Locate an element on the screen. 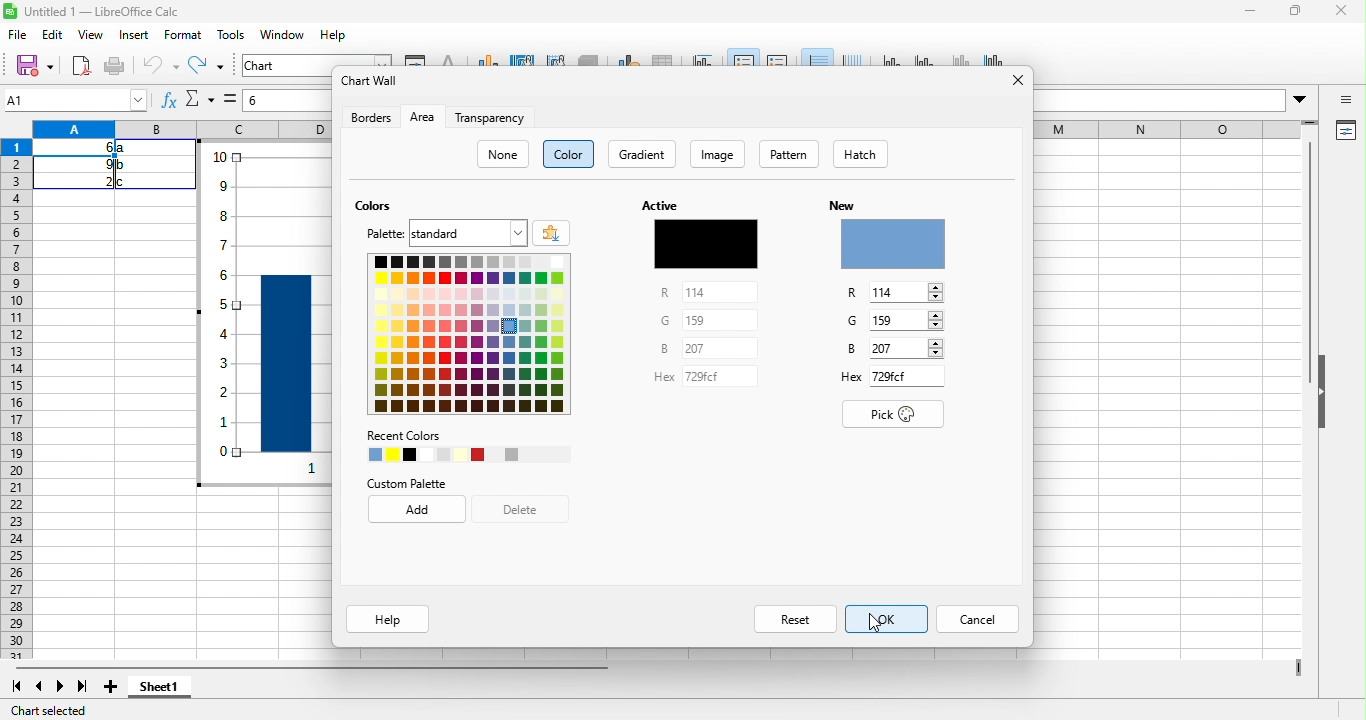 Image resolution: width=1366 pixels, height=720 pixels. 257 is located at coordinates (907, 350).